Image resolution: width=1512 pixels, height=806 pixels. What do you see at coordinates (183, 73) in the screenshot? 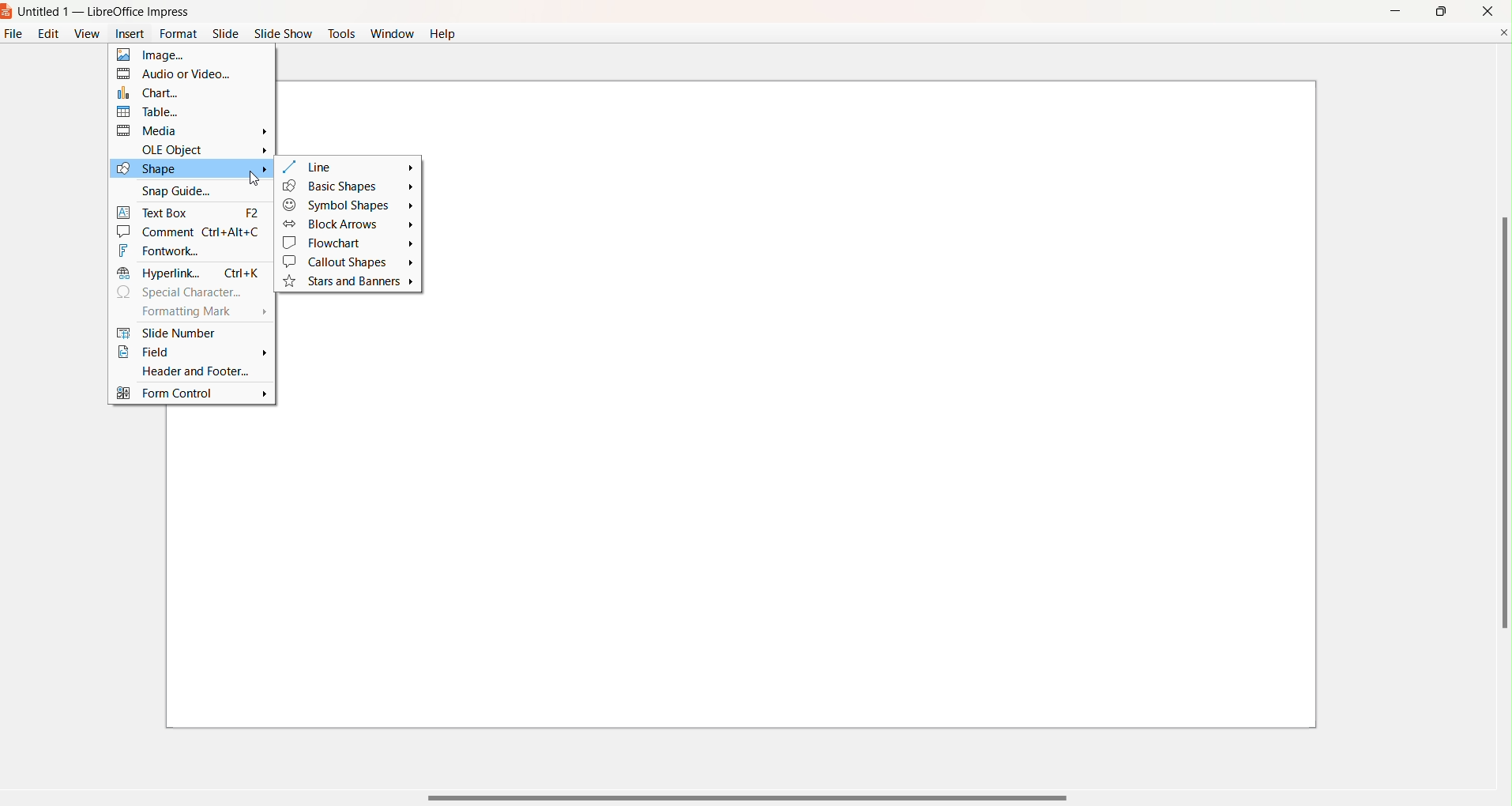
I see `Audio or Video` at bounding box center [183, 73].